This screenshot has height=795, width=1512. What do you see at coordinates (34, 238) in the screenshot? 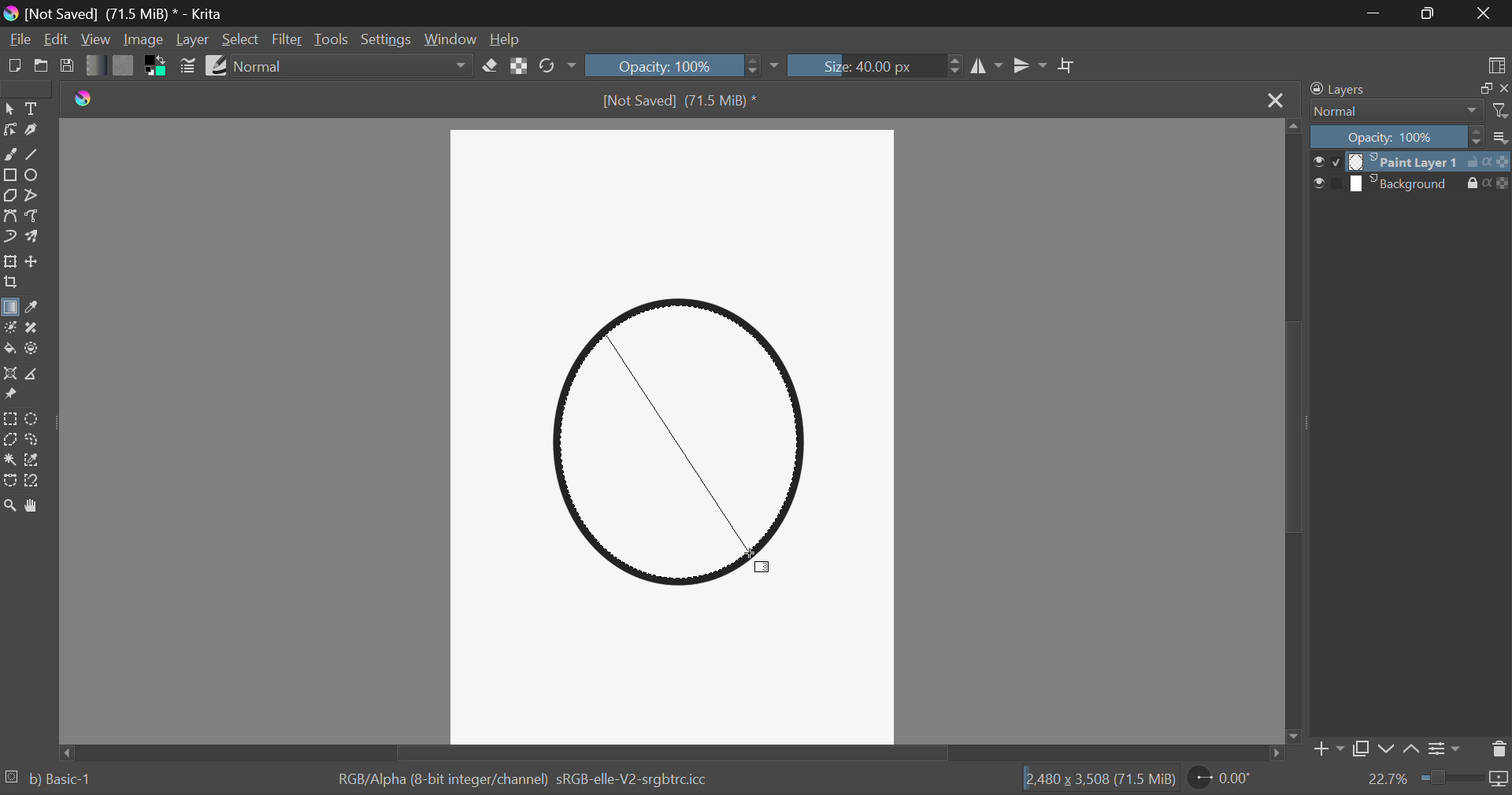
I see `Multibrush` at bounding box center [34, 238].